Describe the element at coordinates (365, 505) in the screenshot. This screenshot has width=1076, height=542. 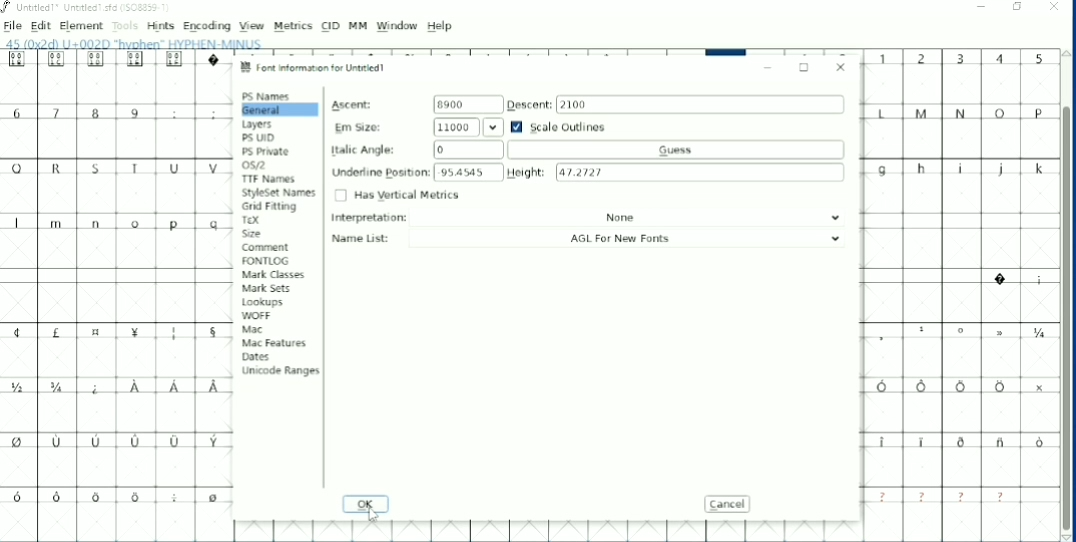
I see `OK` at that location.